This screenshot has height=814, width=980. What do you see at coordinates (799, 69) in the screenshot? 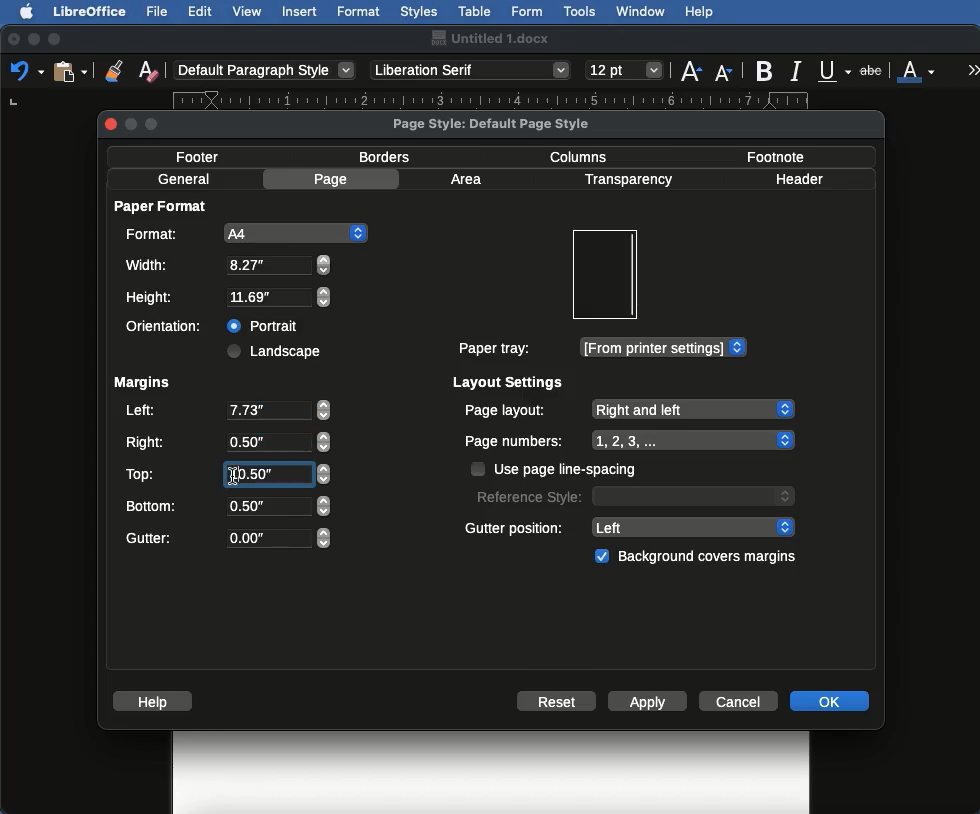
I see `Italics` at bounding box center [799, 69].